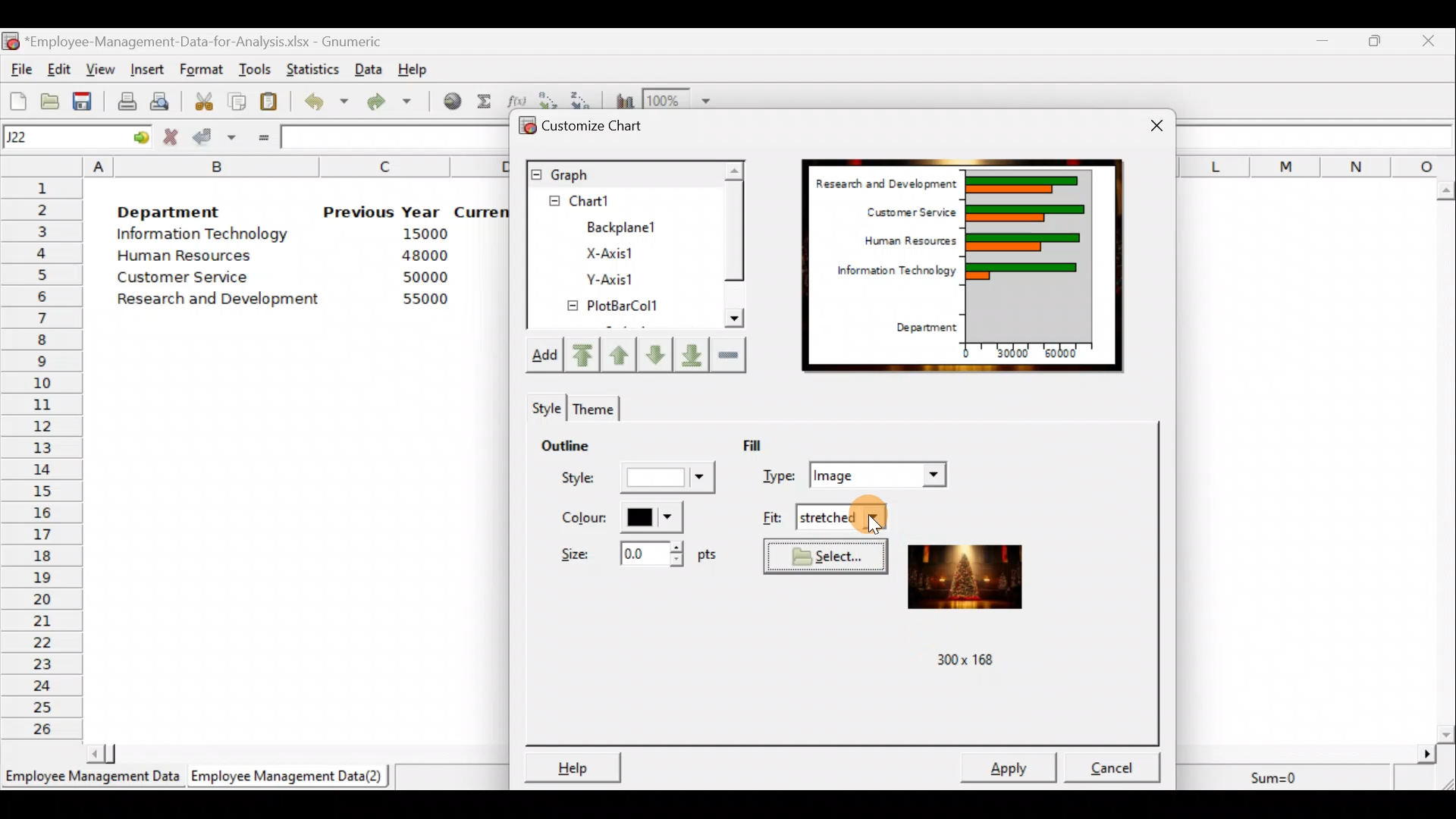 The image size is (1456, 819). Describe the element at coordinates (424, 257) in the screenshot. I see `48000` at that location.